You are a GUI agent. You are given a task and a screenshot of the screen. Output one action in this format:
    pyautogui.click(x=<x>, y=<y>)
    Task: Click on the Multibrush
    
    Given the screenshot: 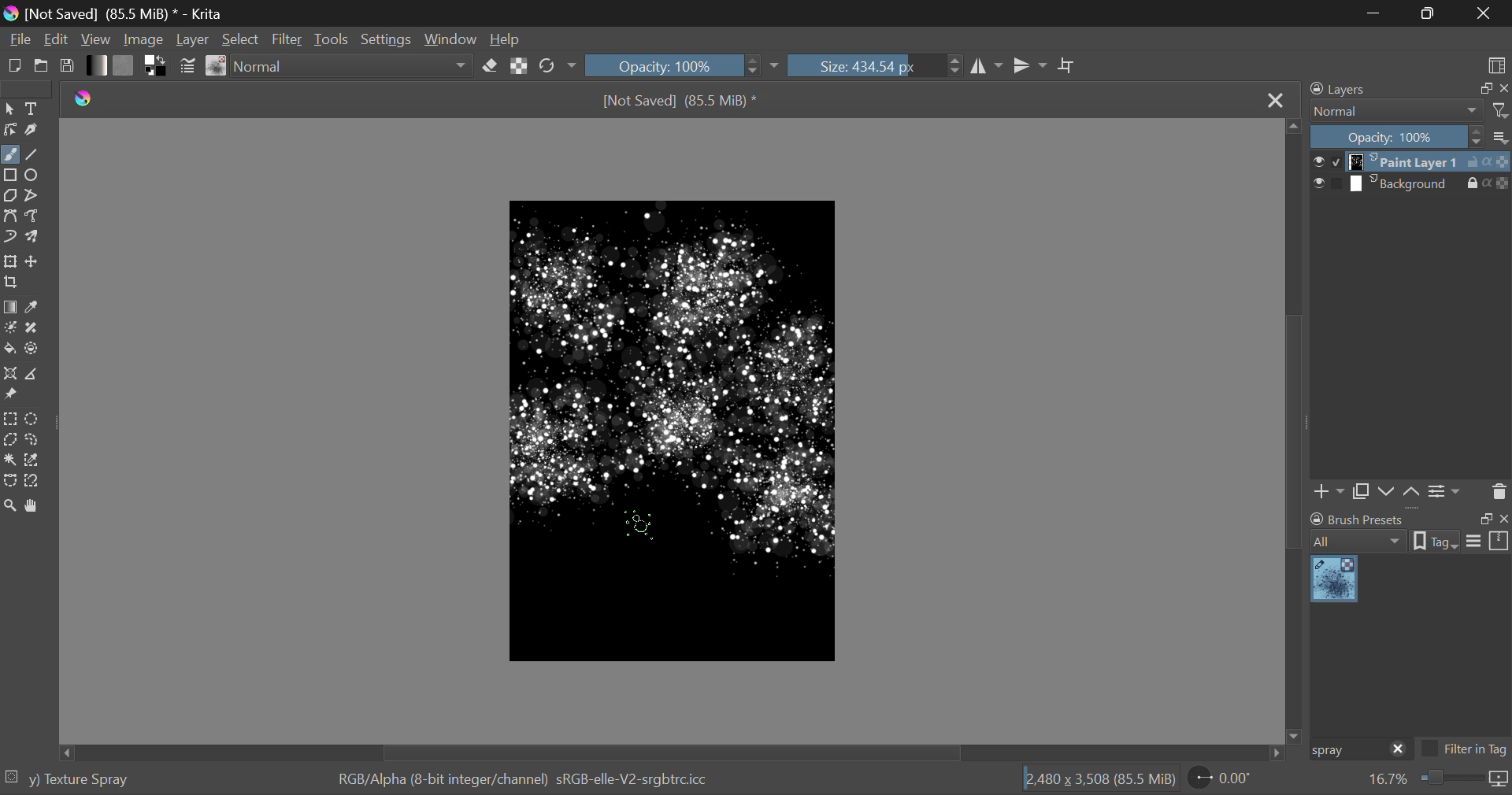 What is the action you would take?
    pyautogui.click(x=32, y=235)
    